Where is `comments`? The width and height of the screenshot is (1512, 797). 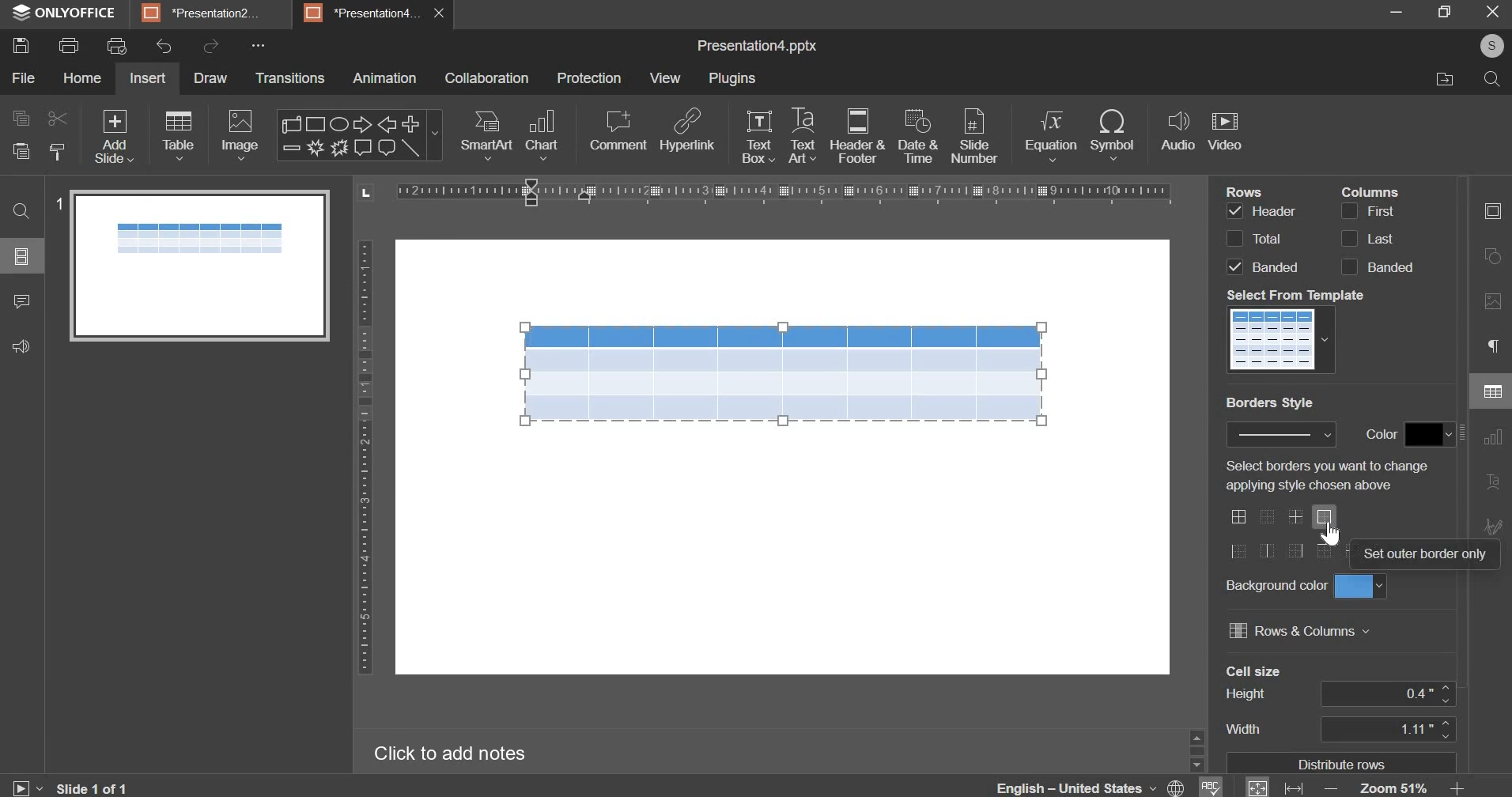 comments is located at coordinates (21, 301).